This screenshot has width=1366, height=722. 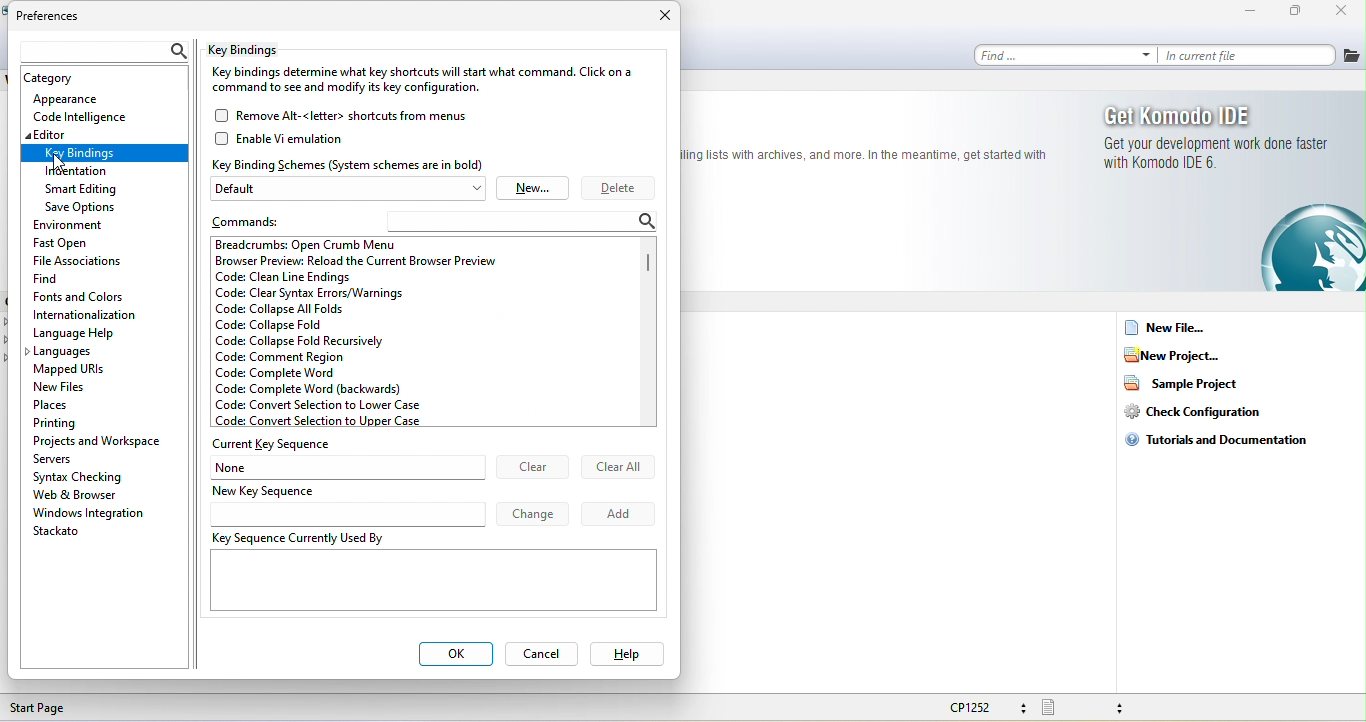 What do you see at coordinates (873, 158) in the screenshot?
I see `when connected to the internet this panel provide link to komodo resources including the community site mailing list with archive and more.` at bounding box center [873, 158].